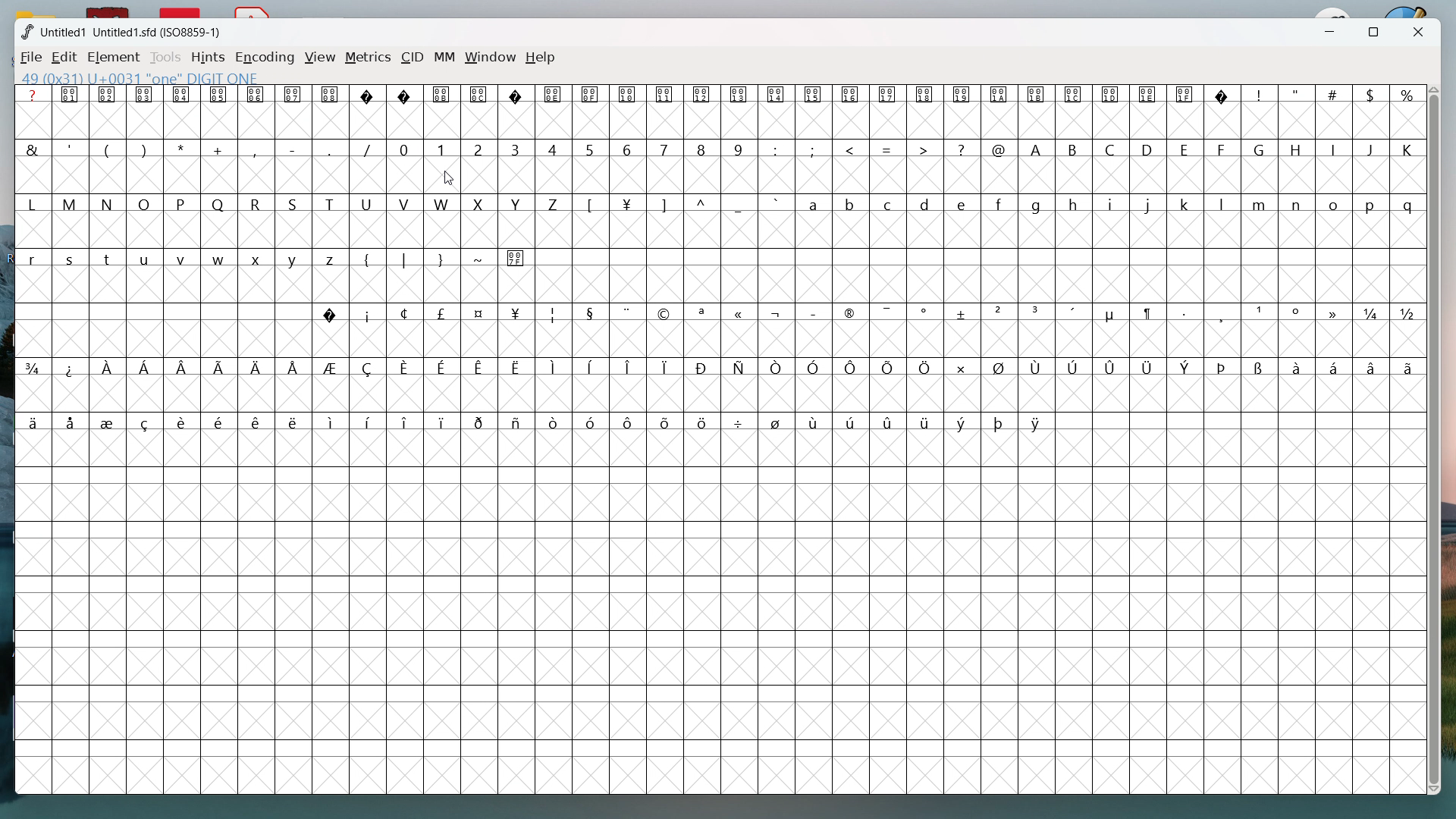 This screenshot has width=1456, height=819. What do you see at coordinates (1112, 149) in the screenshot?
I see `C` at bounding box center [1112, 149].